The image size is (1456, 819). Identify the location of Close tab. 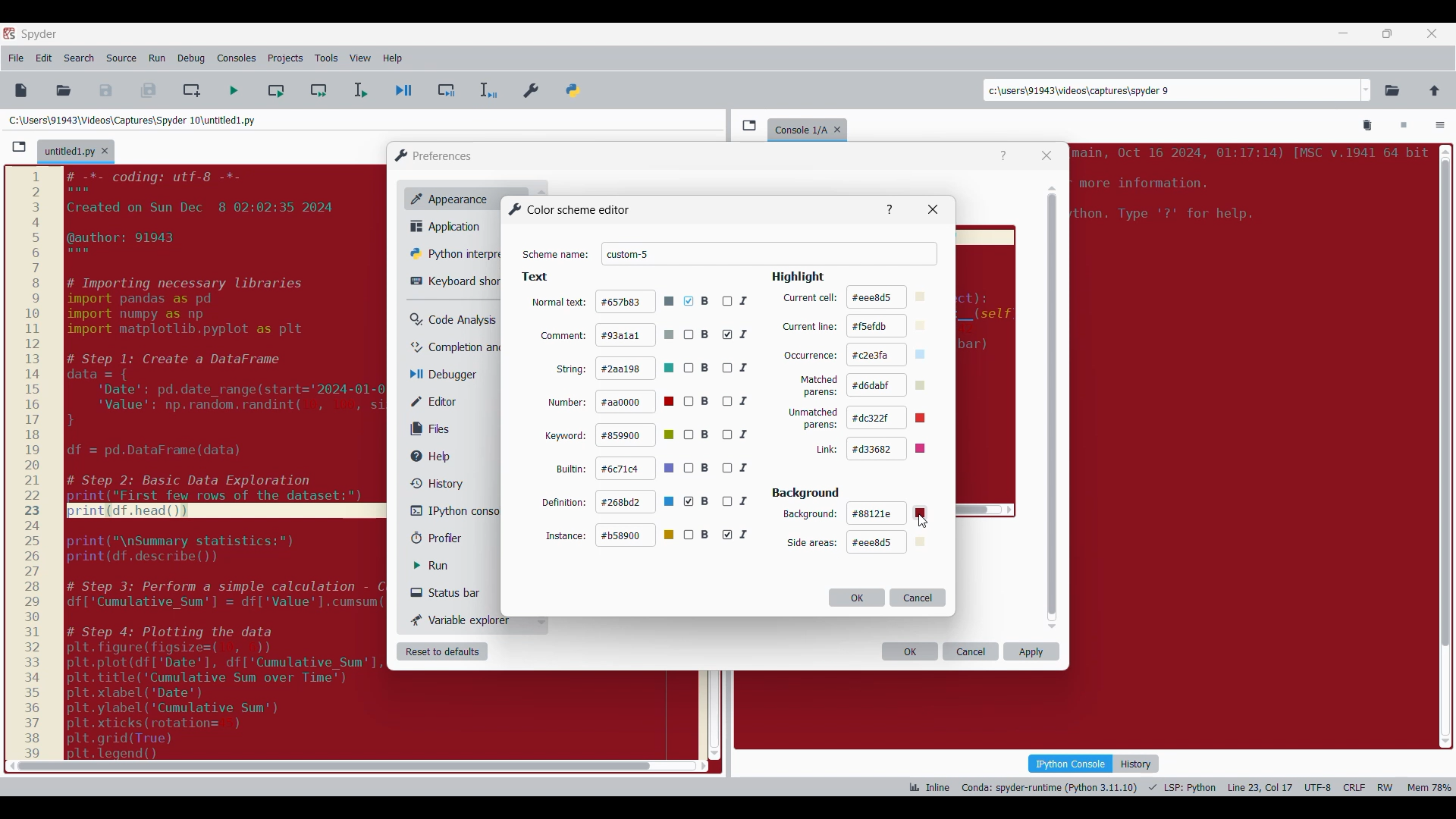
(841, 127).